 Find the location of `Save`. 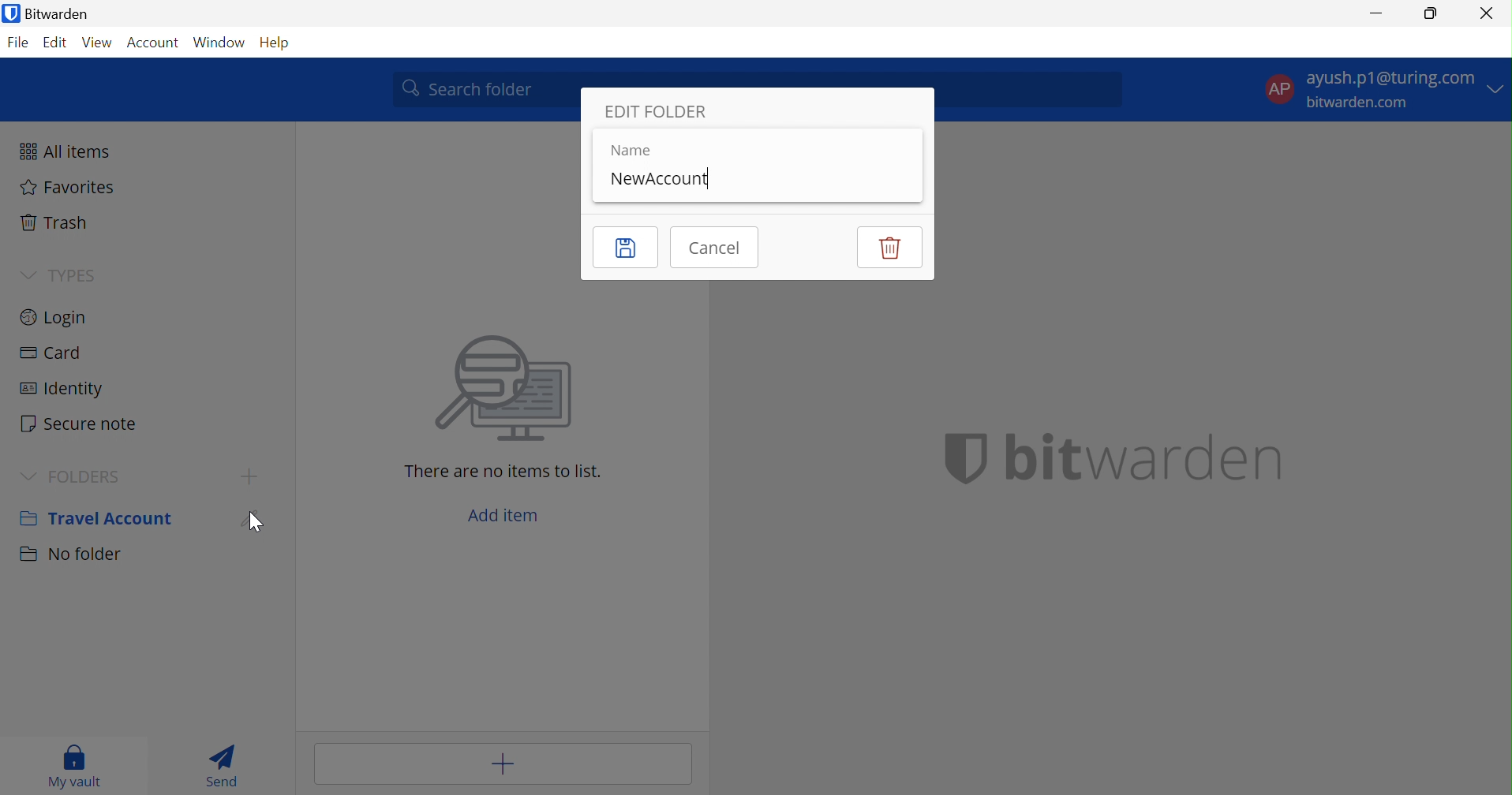

Save is located at coordinates (624, 248).